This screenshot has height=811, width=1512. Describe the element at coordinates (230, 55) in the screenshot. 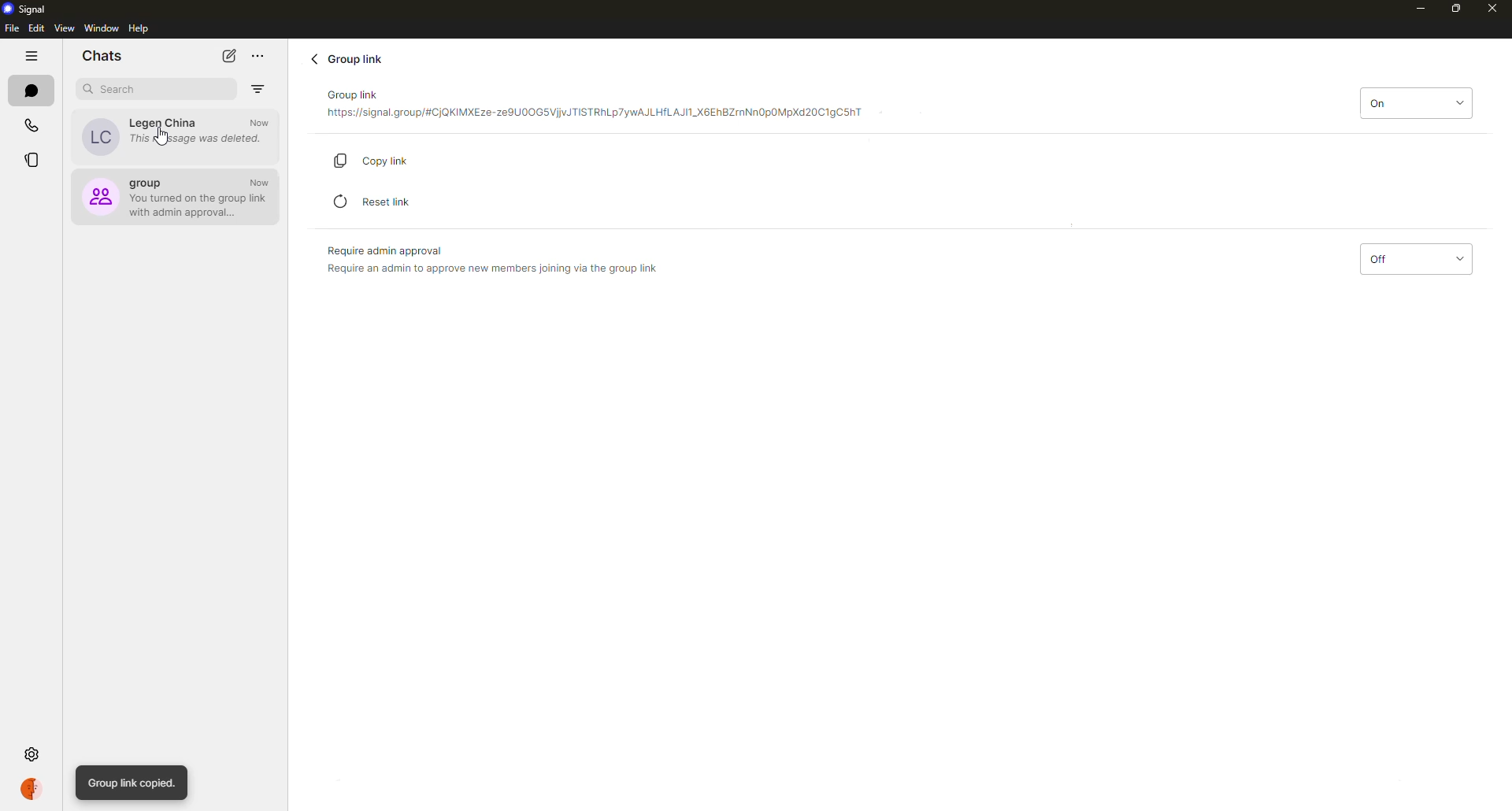

I see `new chat` at that location.